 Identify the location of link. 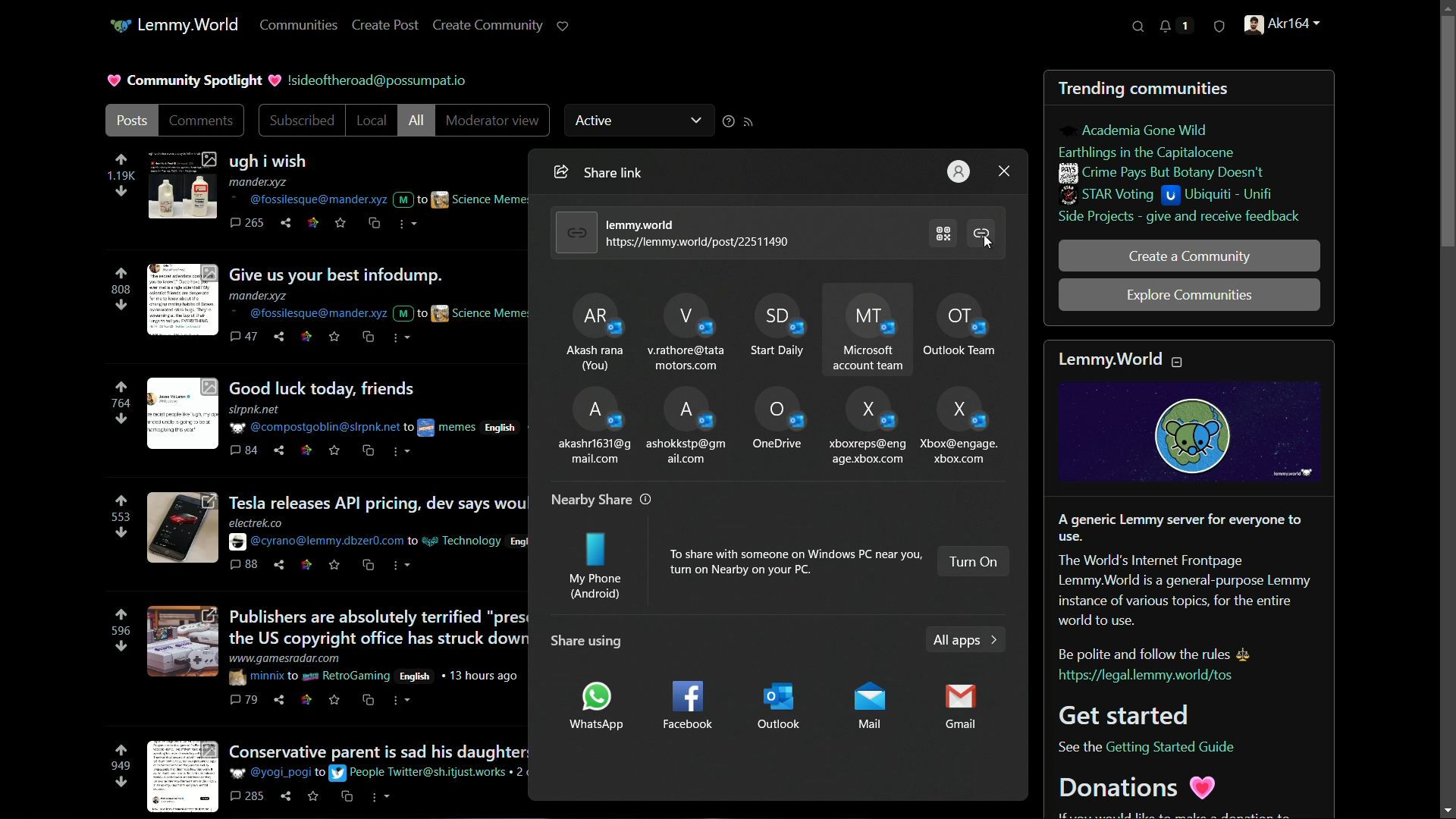
(305, 451).